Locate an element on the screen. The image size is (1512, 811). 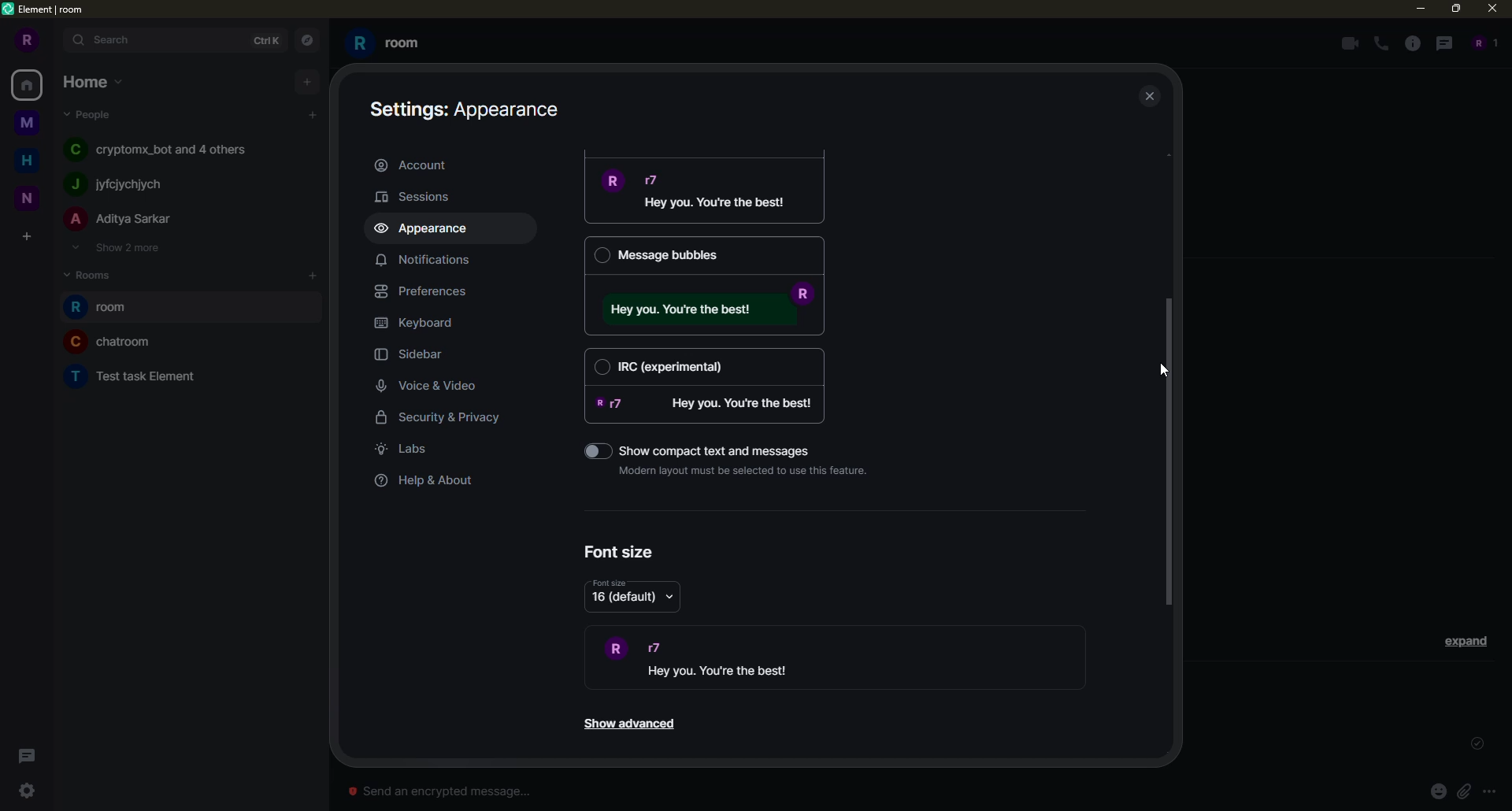
account is located at coordinates (416, 164).